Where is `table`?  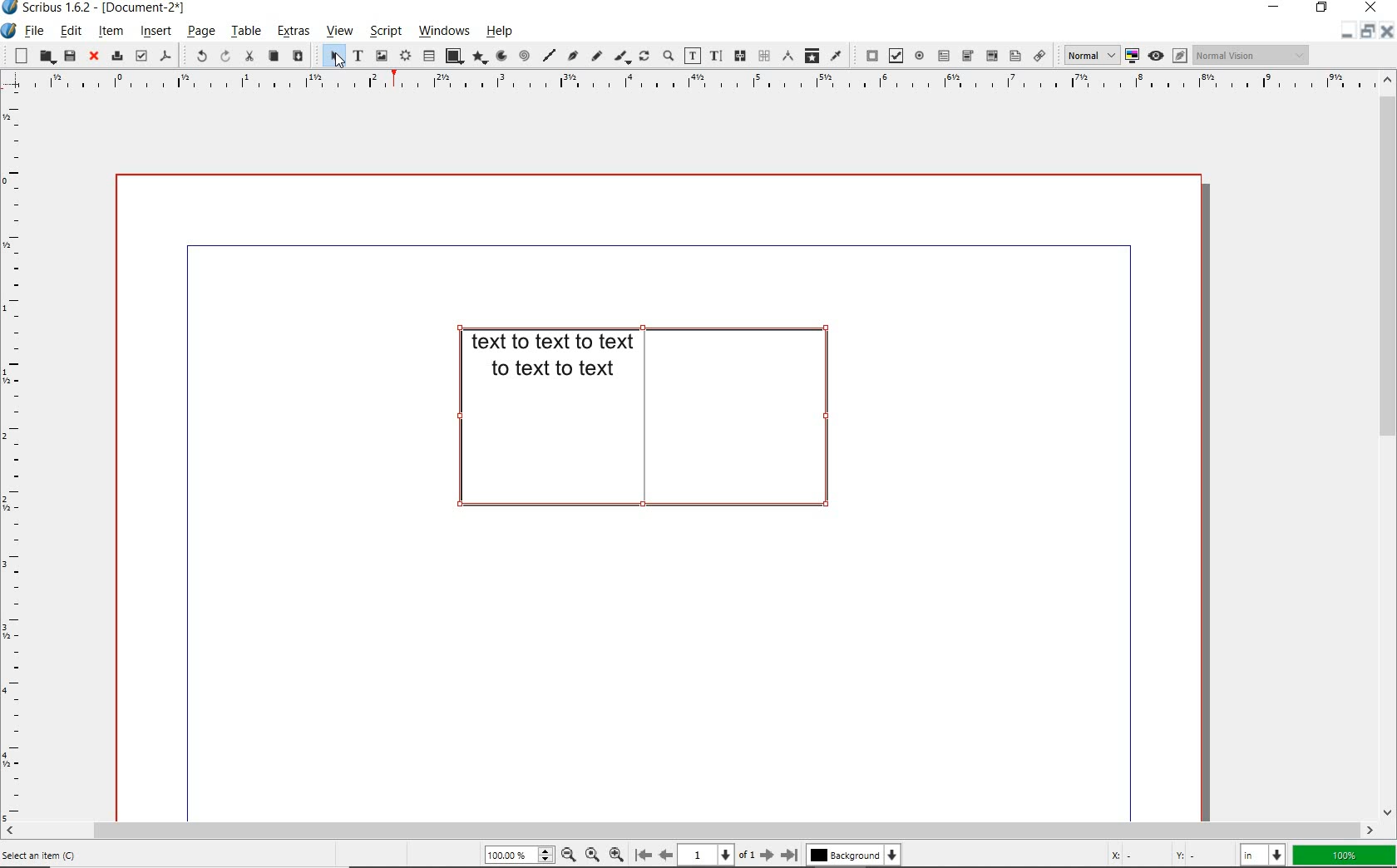
table is located at coordinates (244, 32).